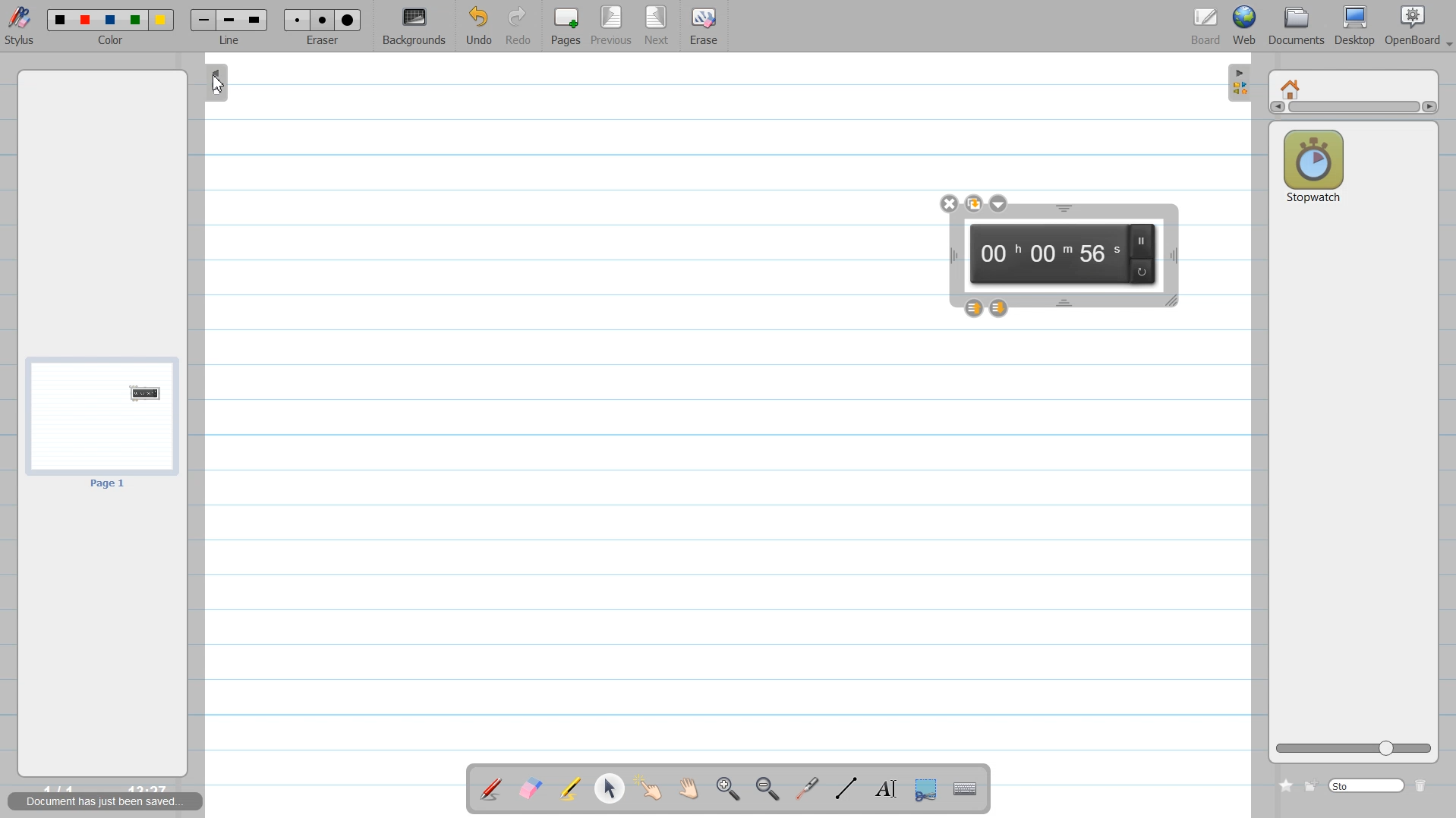  I want to click on Time window width adjustment, so click(949, 256).